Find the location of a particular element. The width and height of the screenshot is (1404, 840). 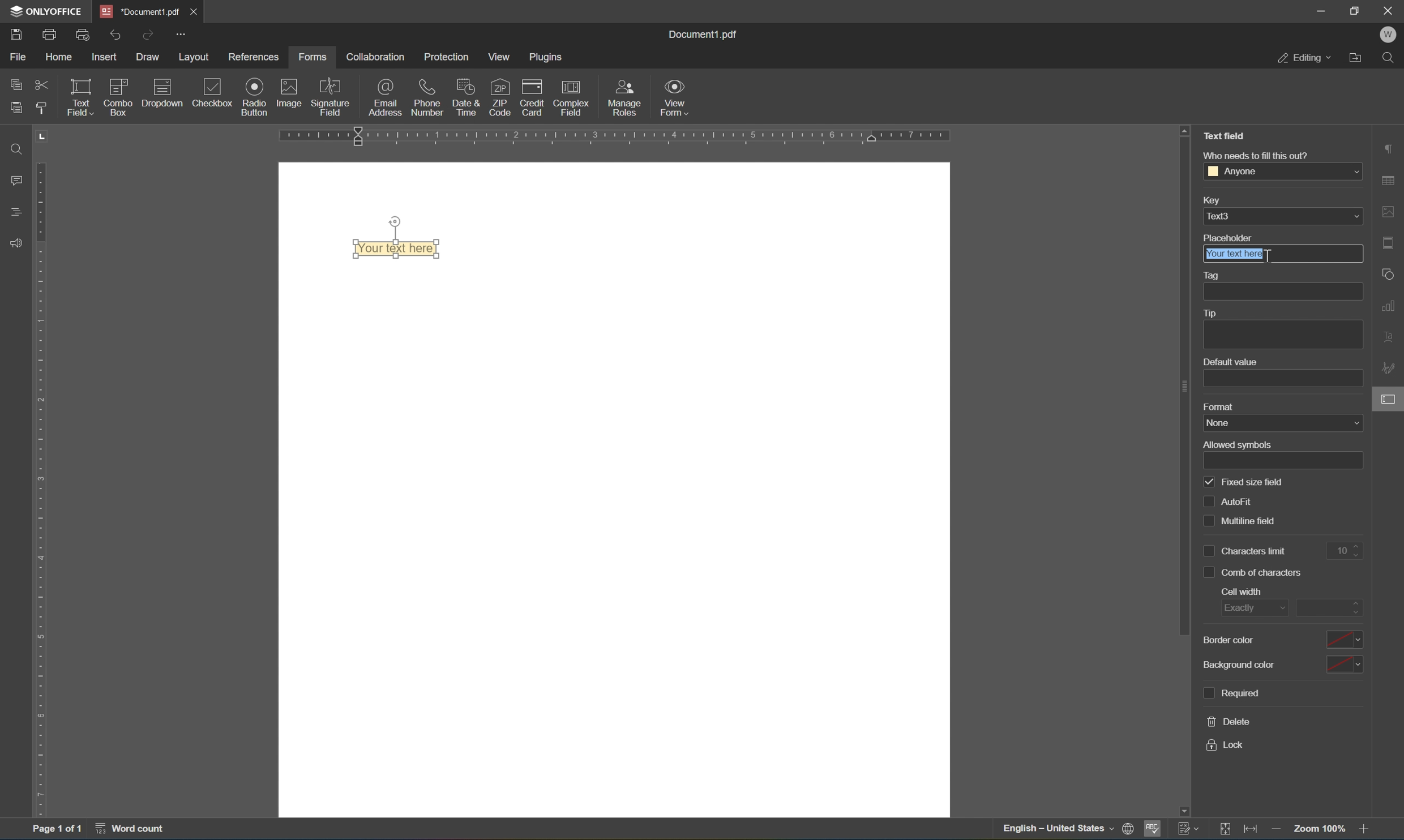

paste is located at coordinates (16, 109).